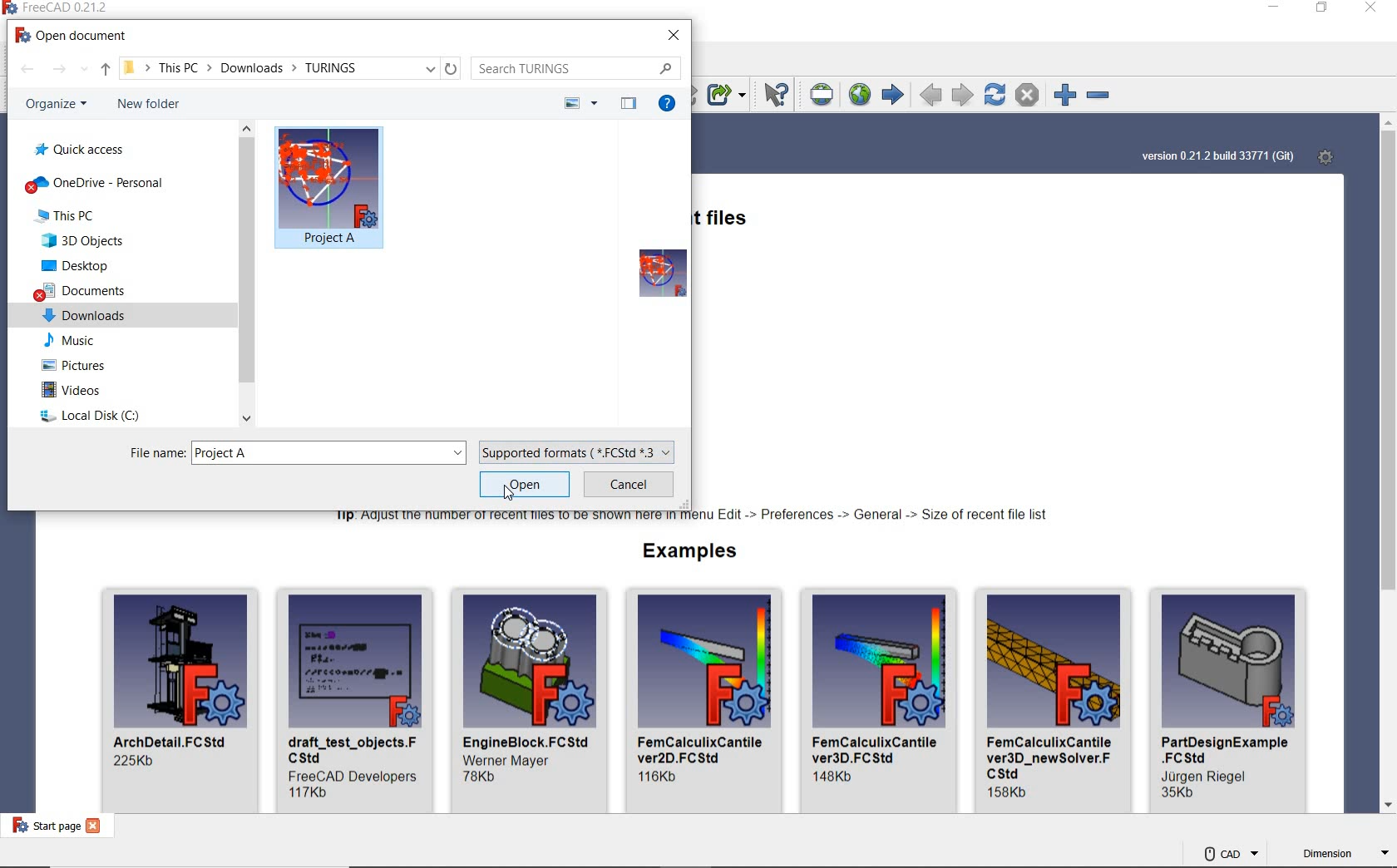  What do you see at coordinates (526, 484) in the screenshot?
I see `OPEN` at bounding box center [526, 484].